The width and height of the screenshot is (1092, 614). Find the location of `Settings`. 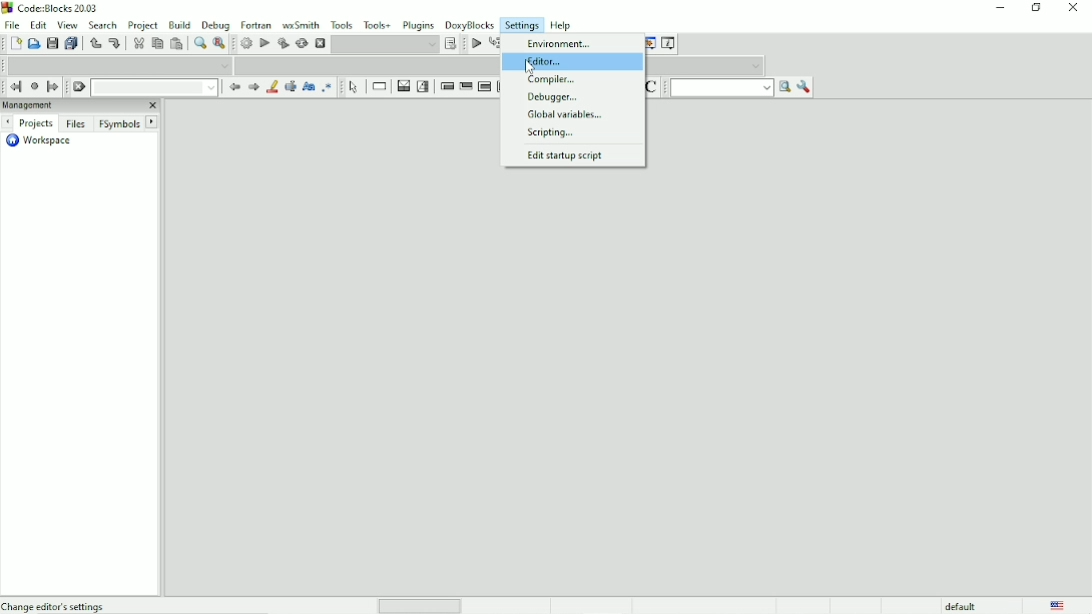

Settings is located at coordinates (523, 25).